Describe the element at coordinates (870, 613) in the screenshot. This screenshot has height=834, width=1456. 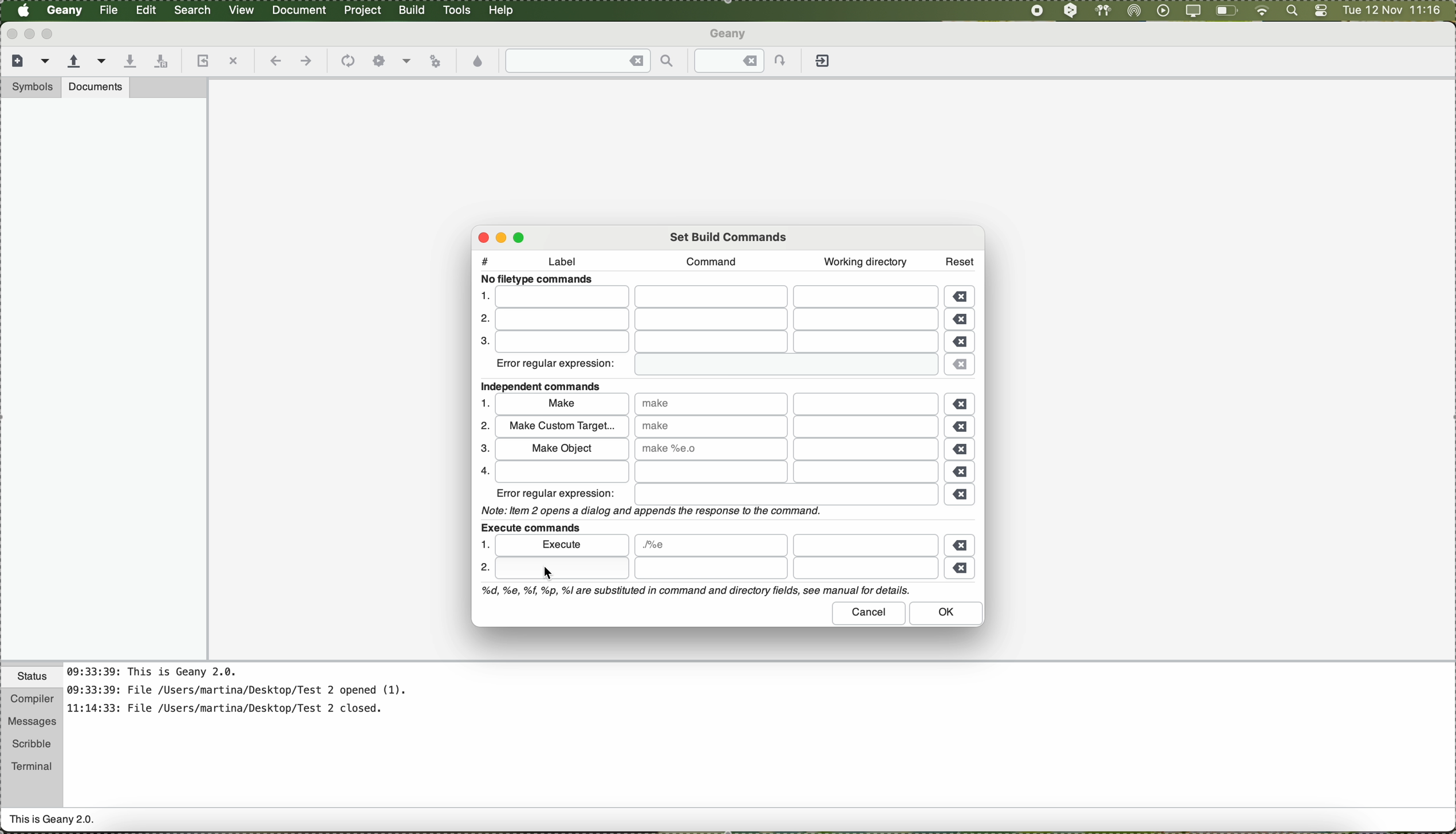
I see `cancel button` at that location.